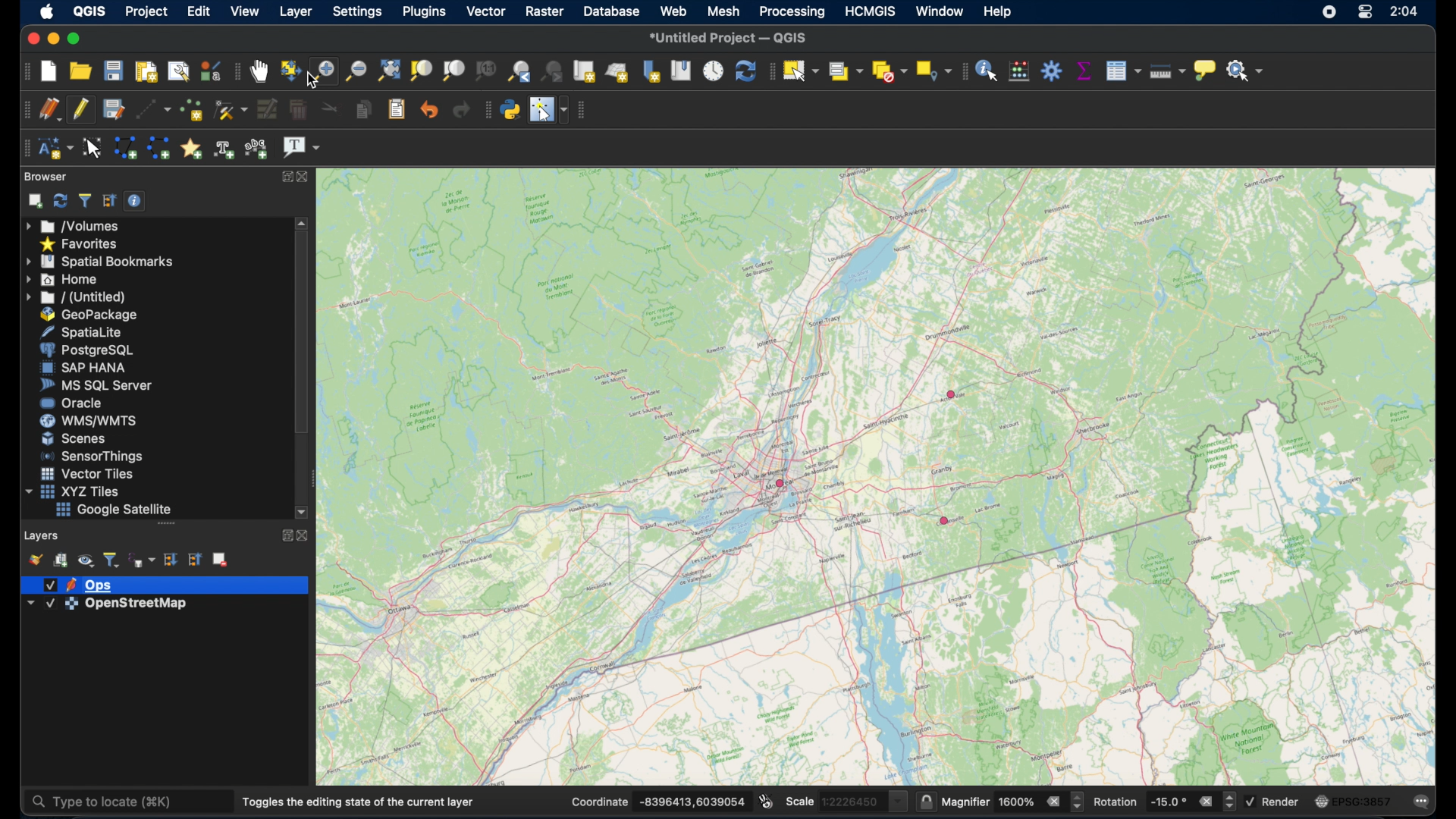  What do you see at coordinates (997, 13) in the screenshot?
I see `help` at bounding box center [997, 13].